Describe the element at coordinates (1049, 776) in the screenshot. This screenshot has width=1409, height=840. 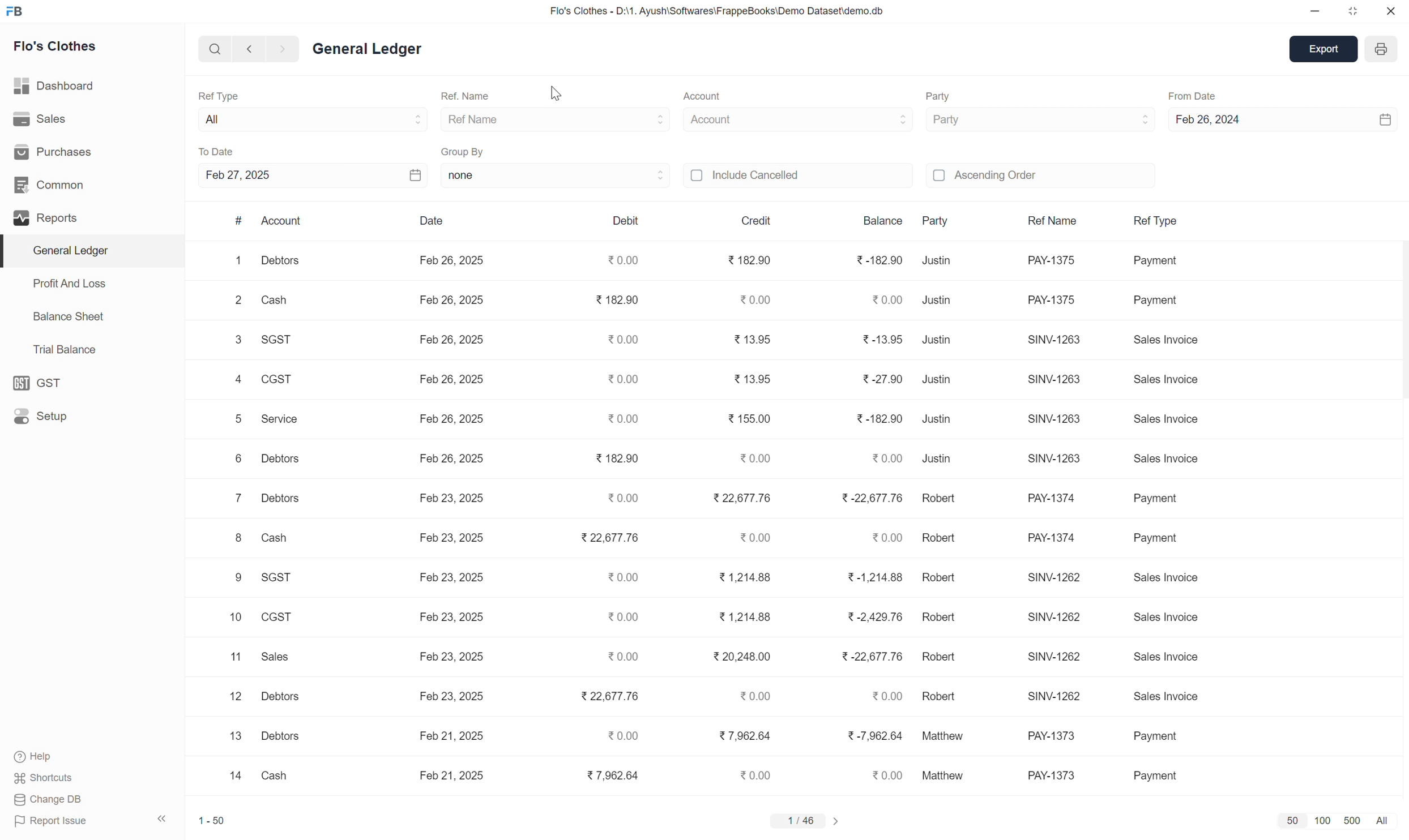
I see `SINV-1262` at that location.